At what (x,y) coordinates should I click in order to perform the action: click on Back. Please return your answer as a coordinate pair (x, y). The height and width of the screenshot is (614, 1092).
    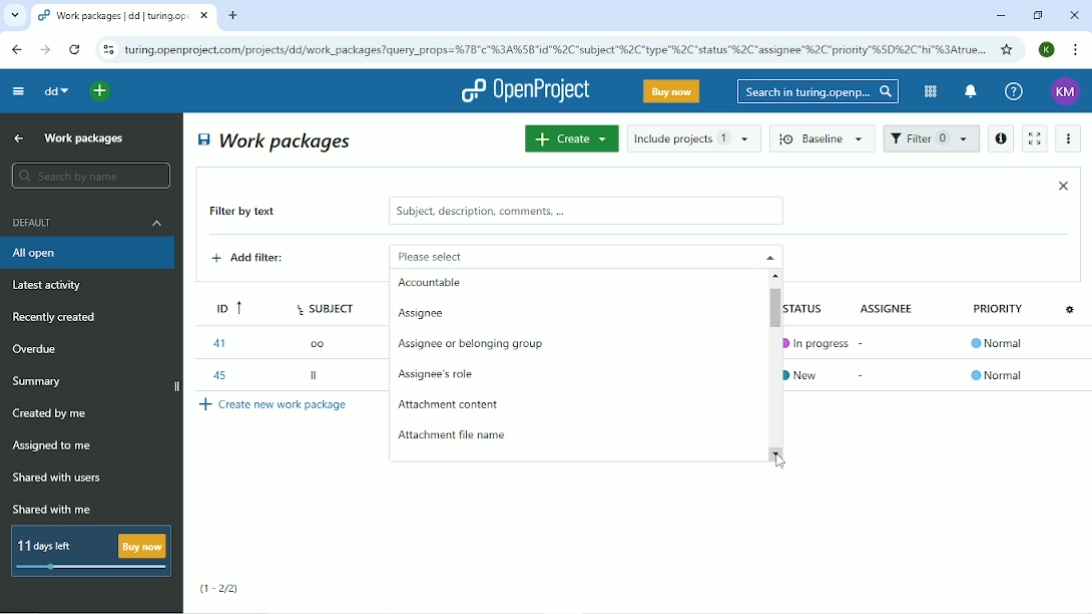
    Looking at the image, I should click on (16, 49).